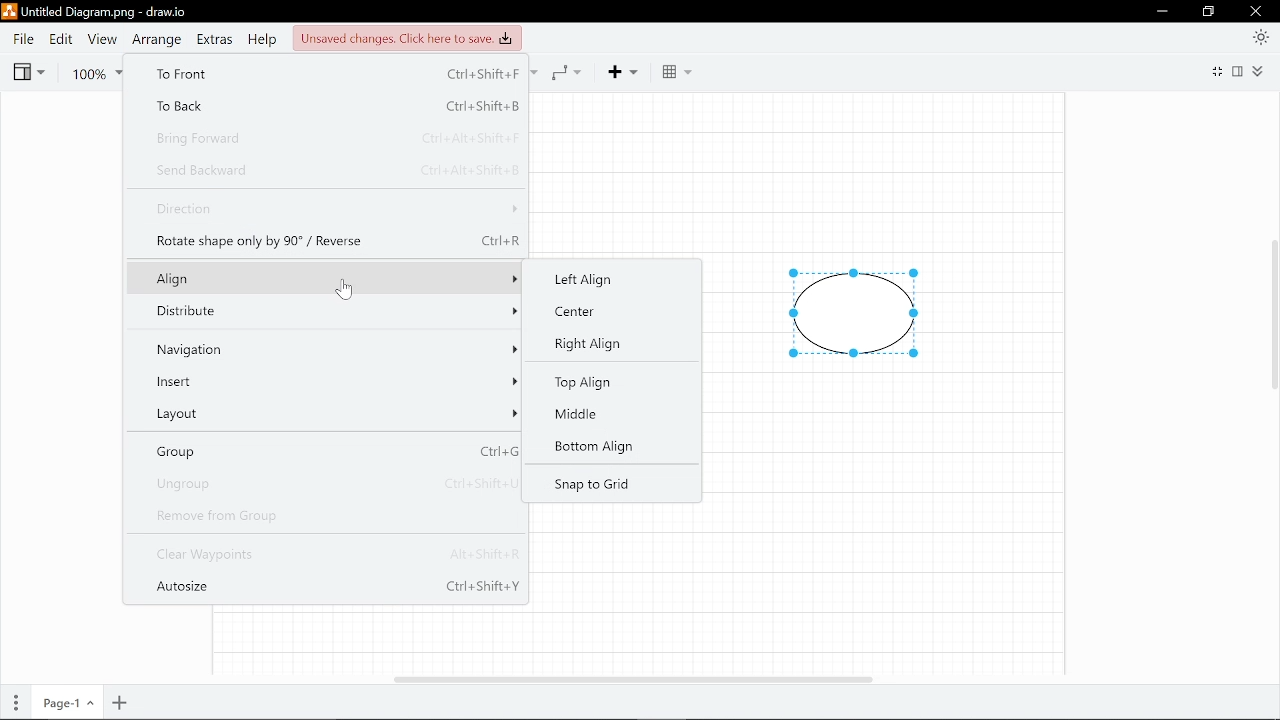 This screenshot has width=1280, height=720. What do you see at coordinates (329, 75) in the screenshot?
I see `To front` at bounding box center [329, 75].